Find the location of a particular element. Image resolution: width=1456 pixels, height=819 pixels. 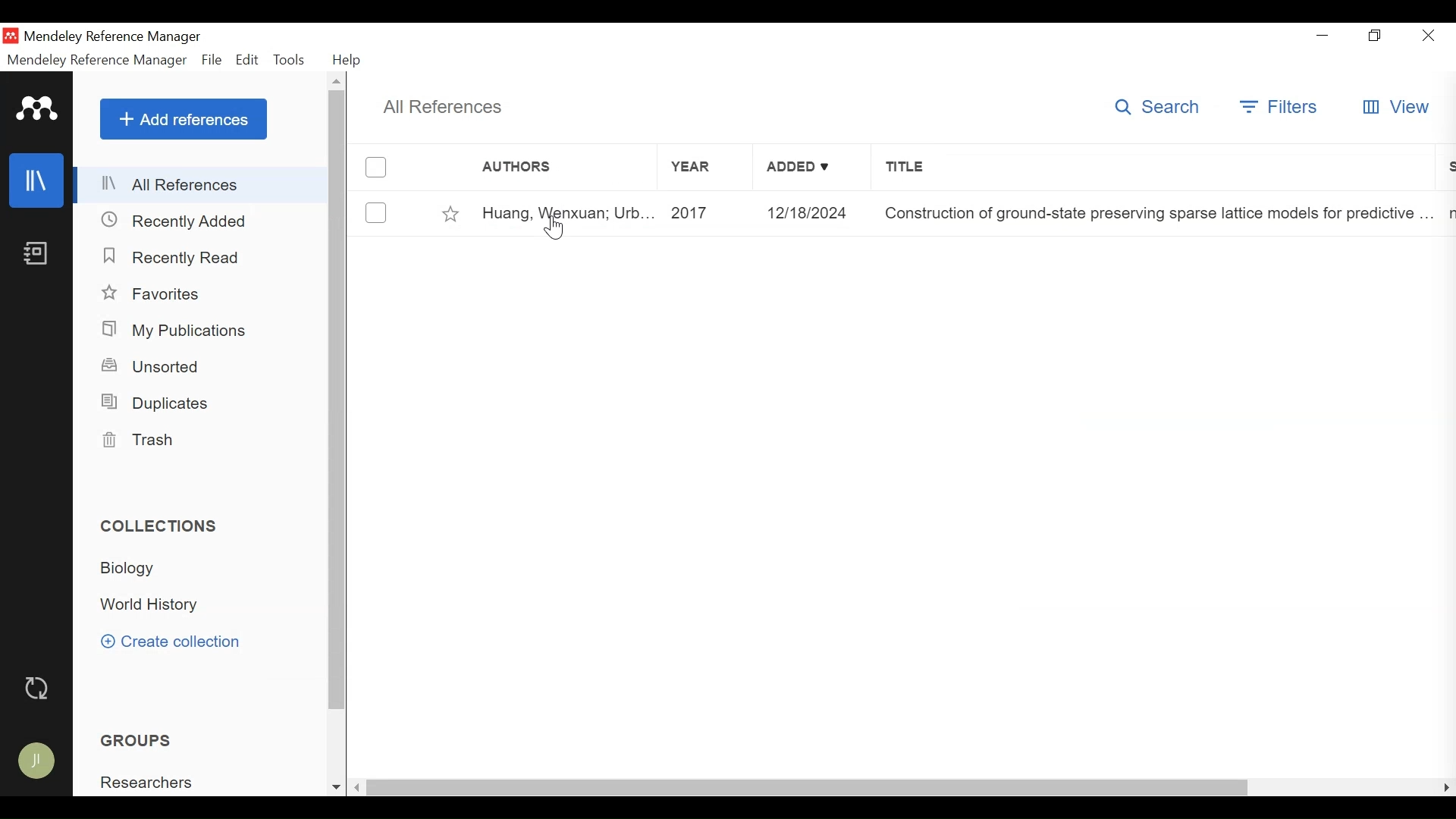

Year is located at coordinates (706, 168).